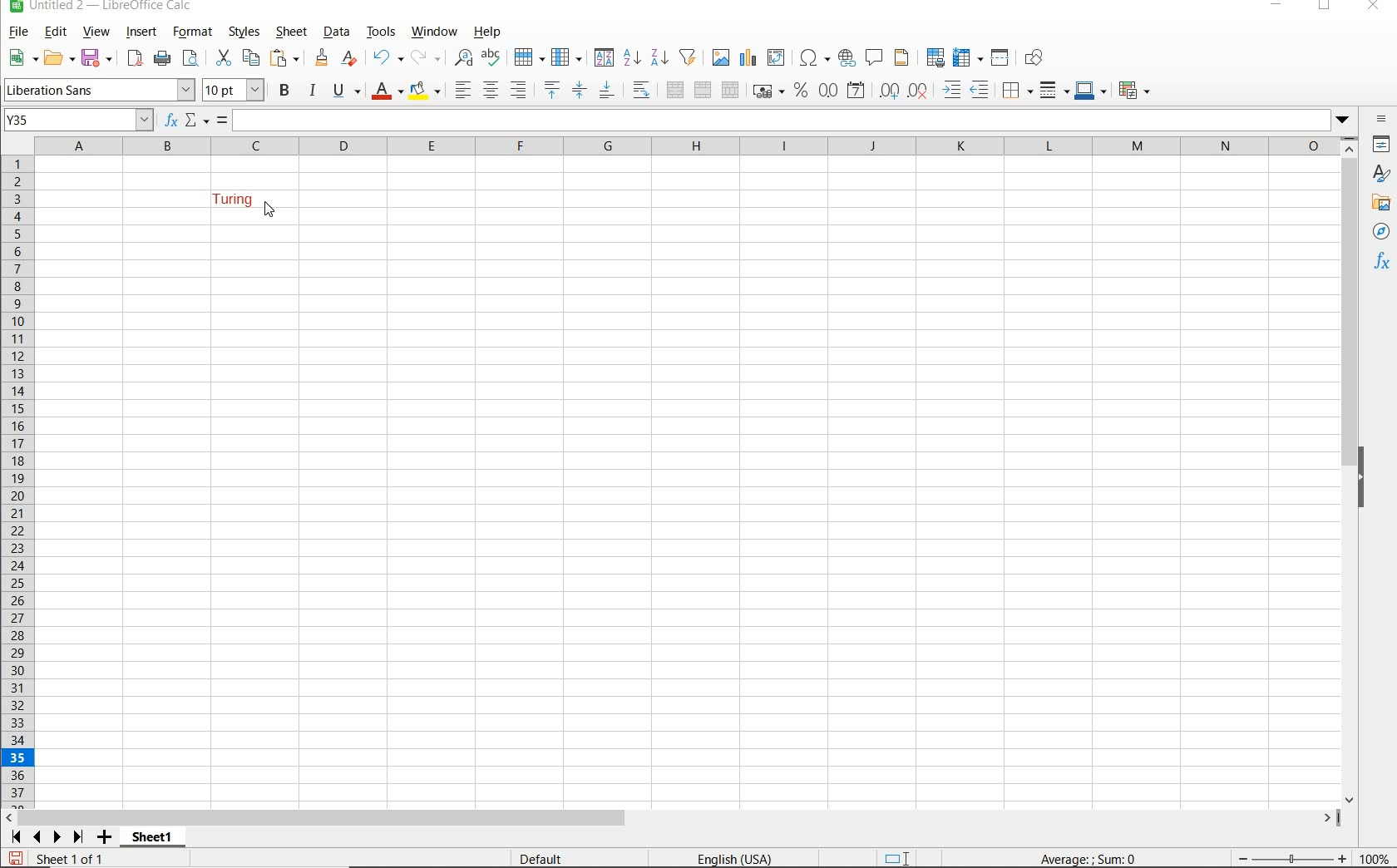 This screenshot has width=1397, height=868. I want to click on SIDEBAR SETTINGS, so click(1384, 117).